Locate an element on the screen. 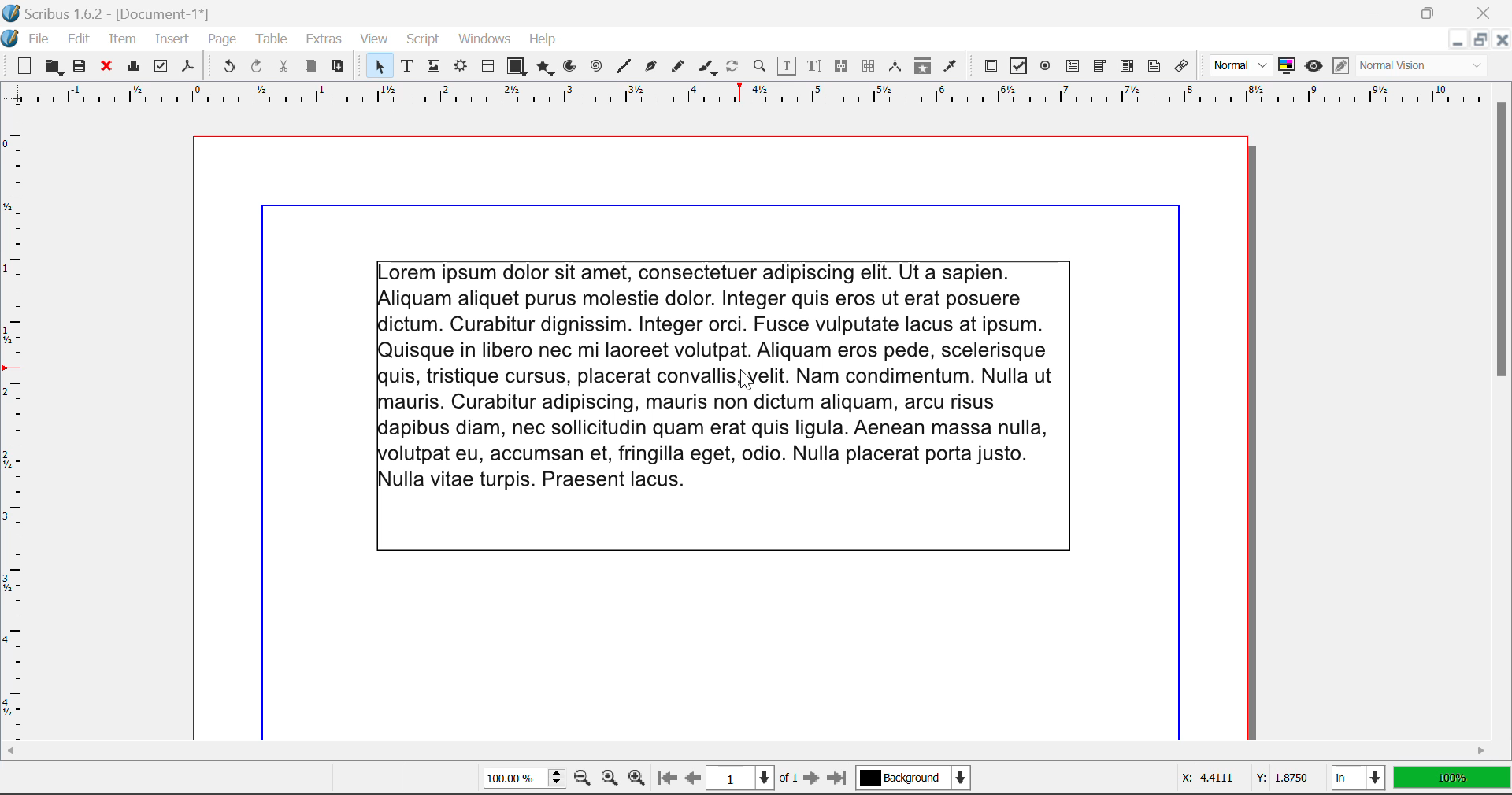 The image size is (1512, 795). Paste is located at coordinates (339, 67).